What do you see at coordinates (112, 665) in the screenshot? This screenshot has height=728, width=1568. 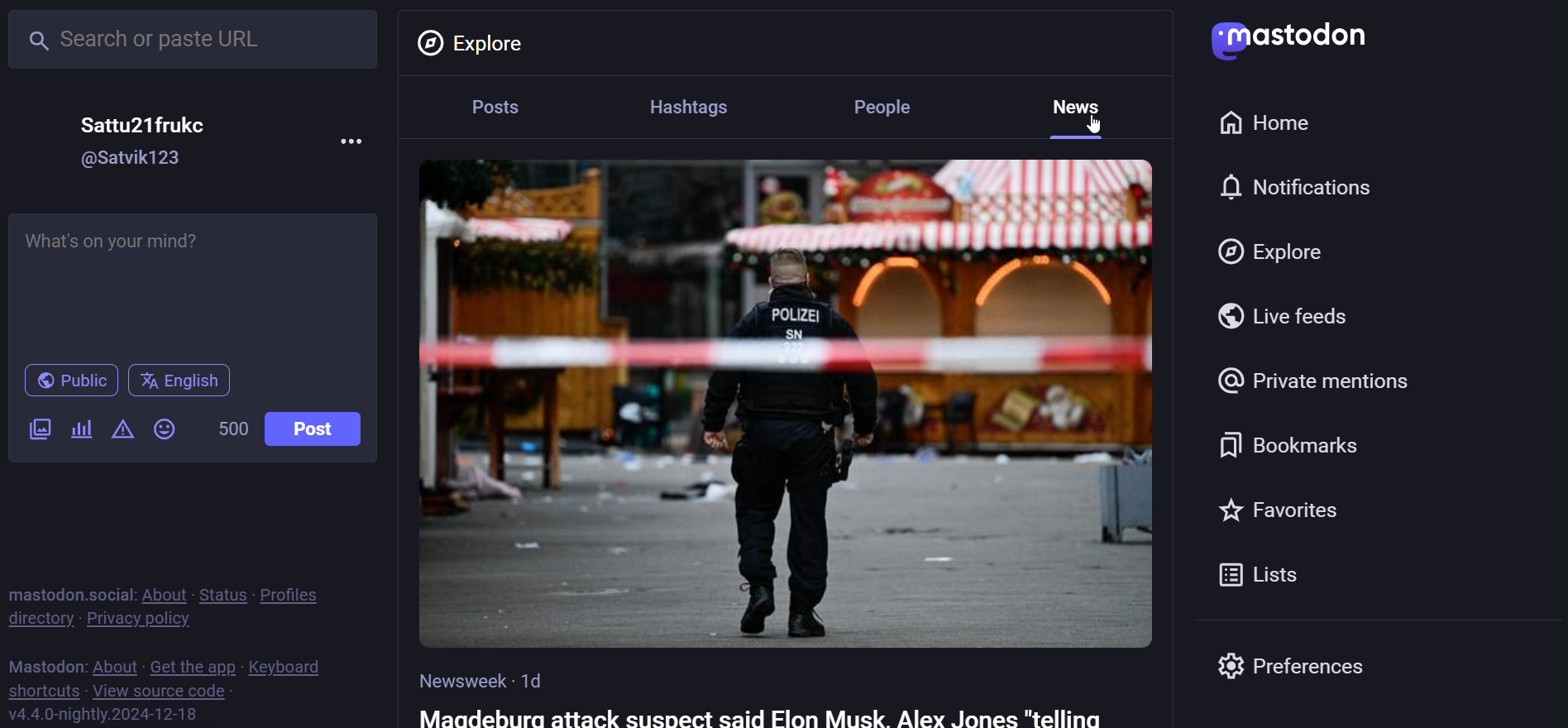 I see `about` at bounding box center [112, 665].